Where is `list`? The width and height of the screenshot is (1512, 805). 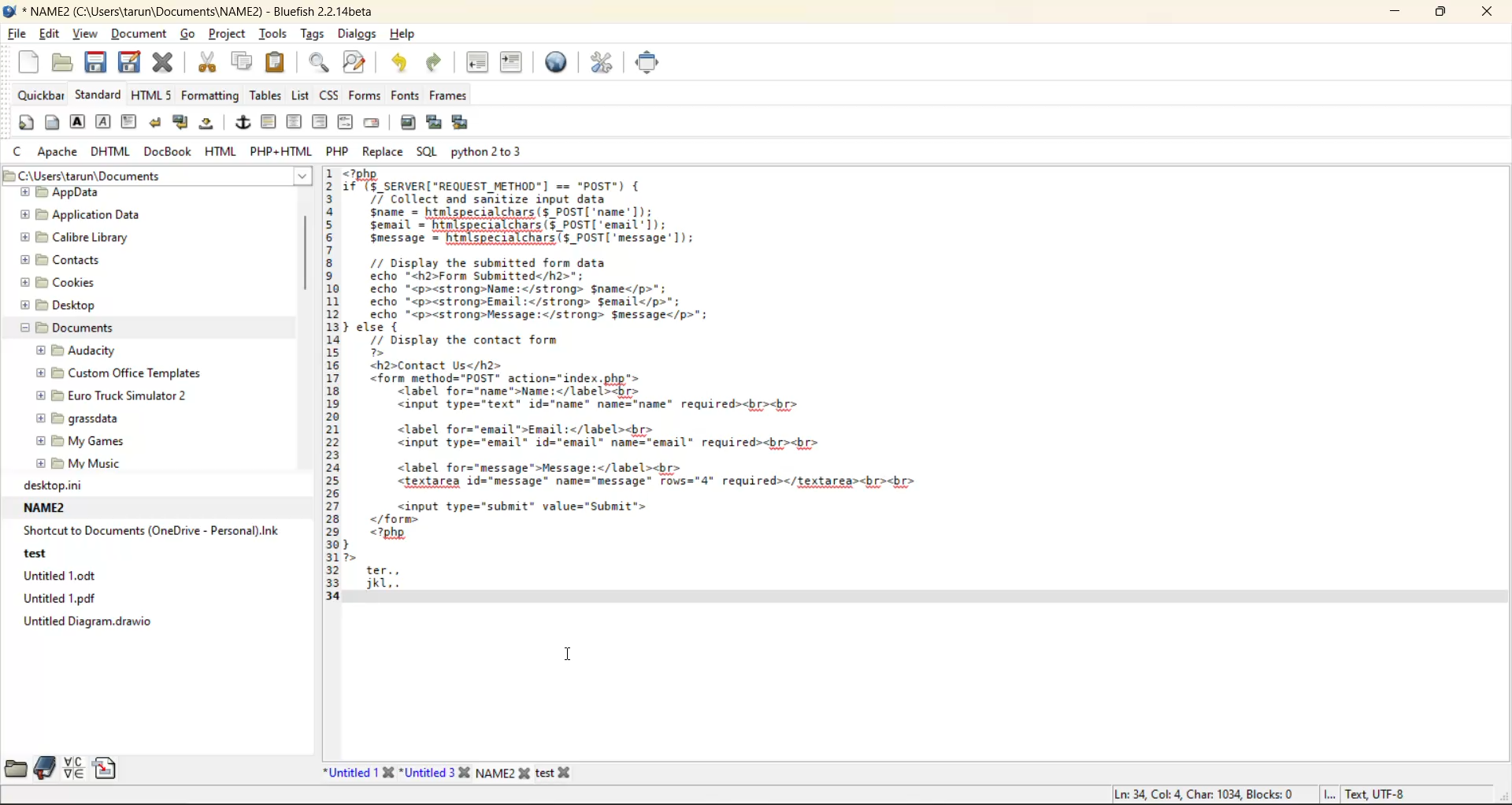
list is located at coordinates (305, 97).